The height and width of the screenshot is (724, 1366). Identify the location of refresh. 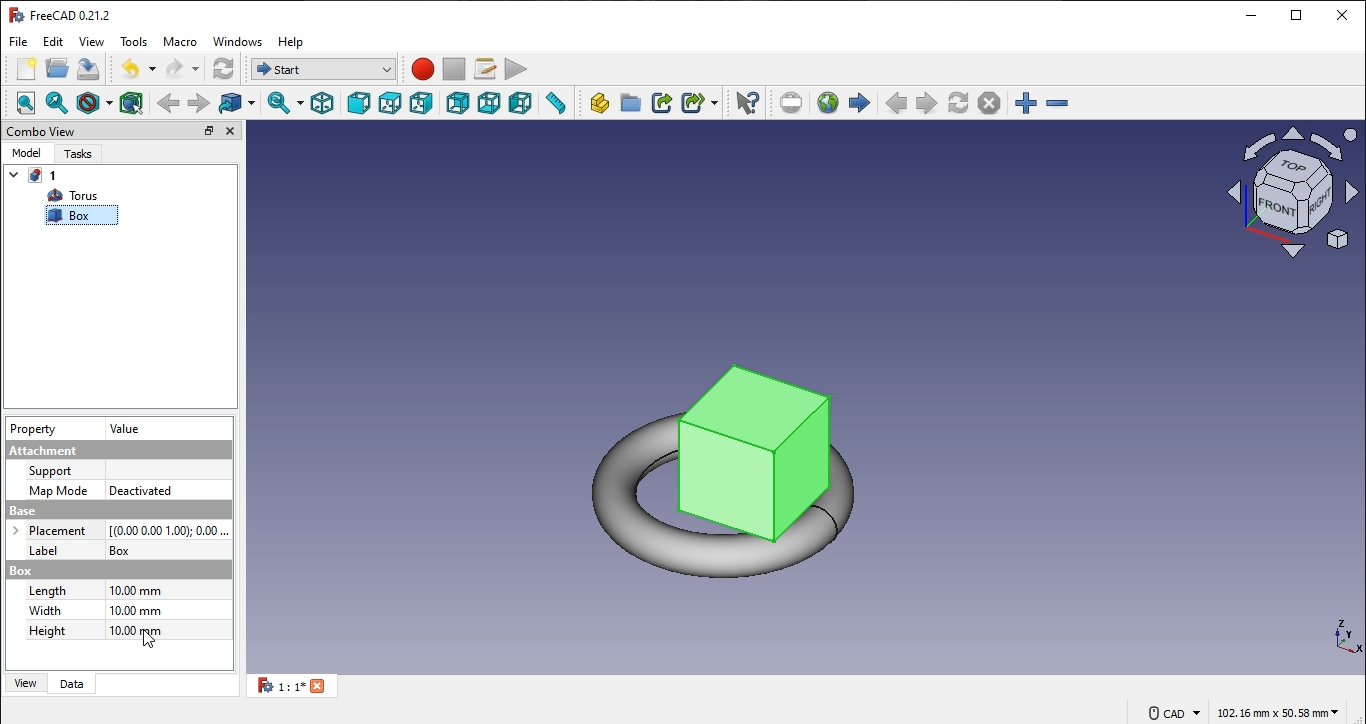
(960, 102).